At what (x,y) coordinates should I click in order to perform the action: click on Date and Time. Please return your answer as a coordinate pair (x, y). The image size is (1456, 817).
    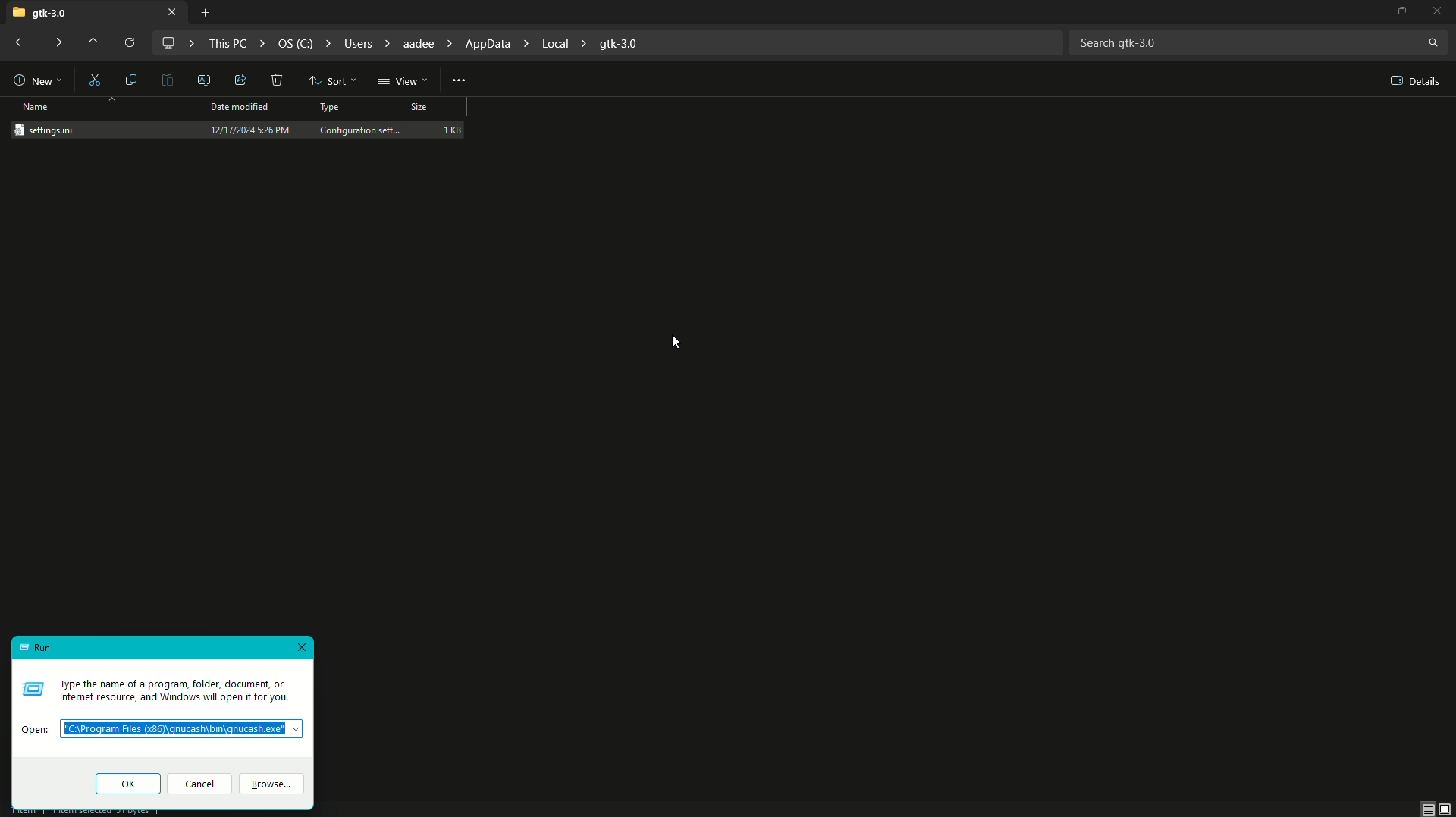
    Looking at the image, I should click on (250, 130).